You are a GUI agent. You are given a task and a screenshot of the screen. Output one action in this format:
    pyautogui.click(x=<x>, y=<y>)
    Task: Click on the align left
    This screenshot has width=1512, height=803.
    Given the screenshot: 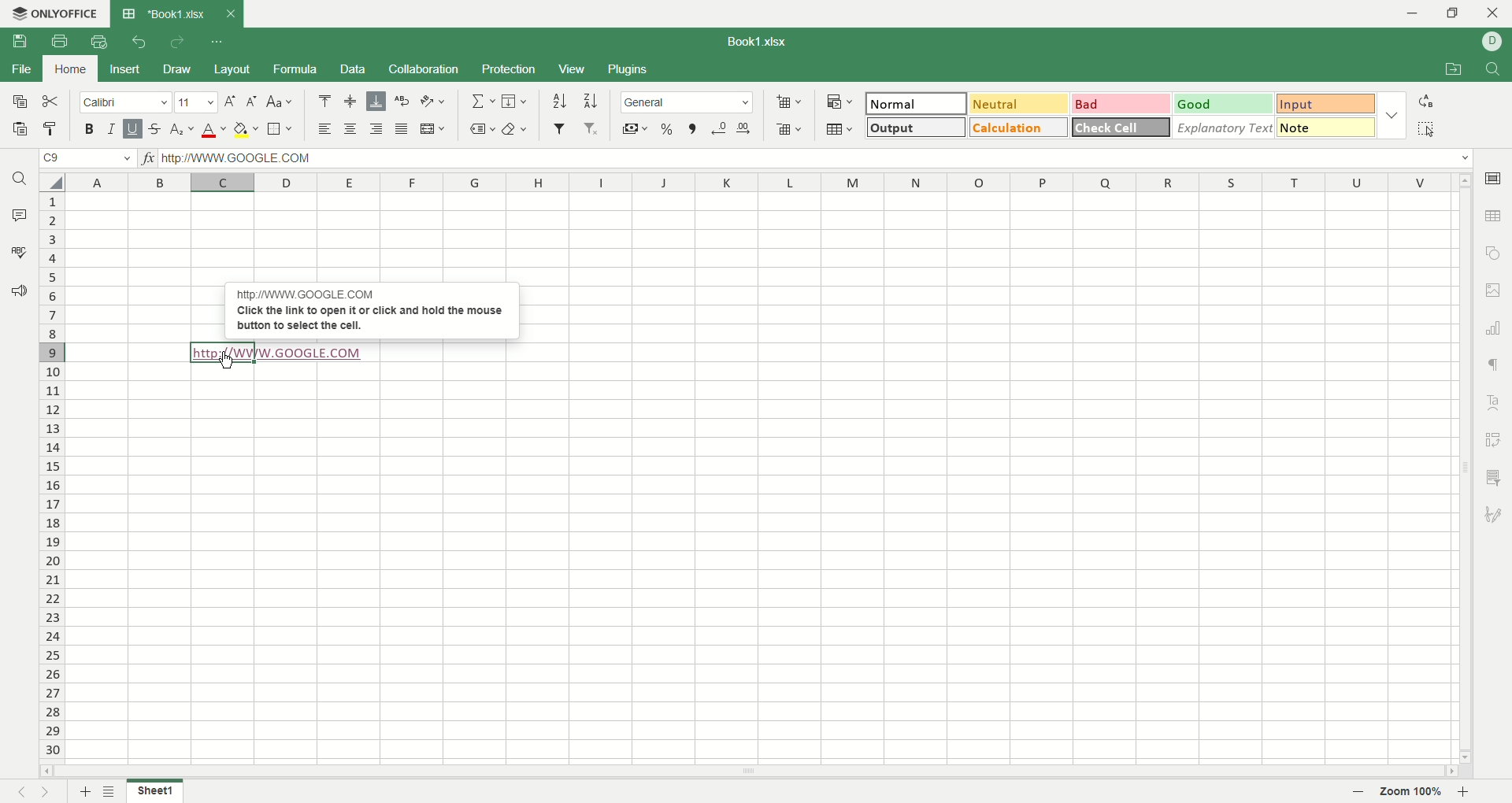 What is the action you would take?
    pyautogui.click(x=322, y=129)
    